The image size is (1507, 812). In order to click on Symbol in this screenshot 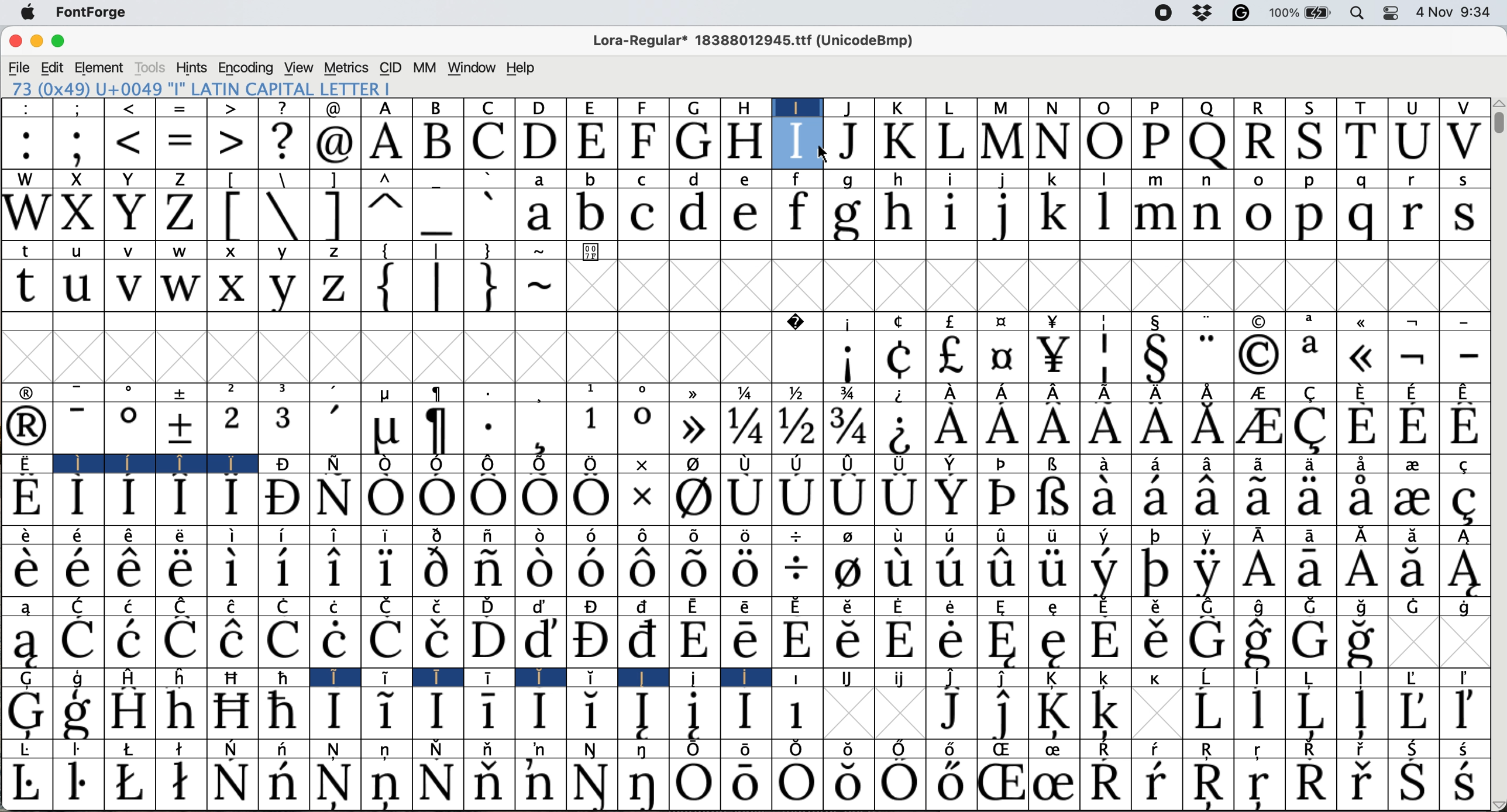, I will do `click(1205, 426)`.